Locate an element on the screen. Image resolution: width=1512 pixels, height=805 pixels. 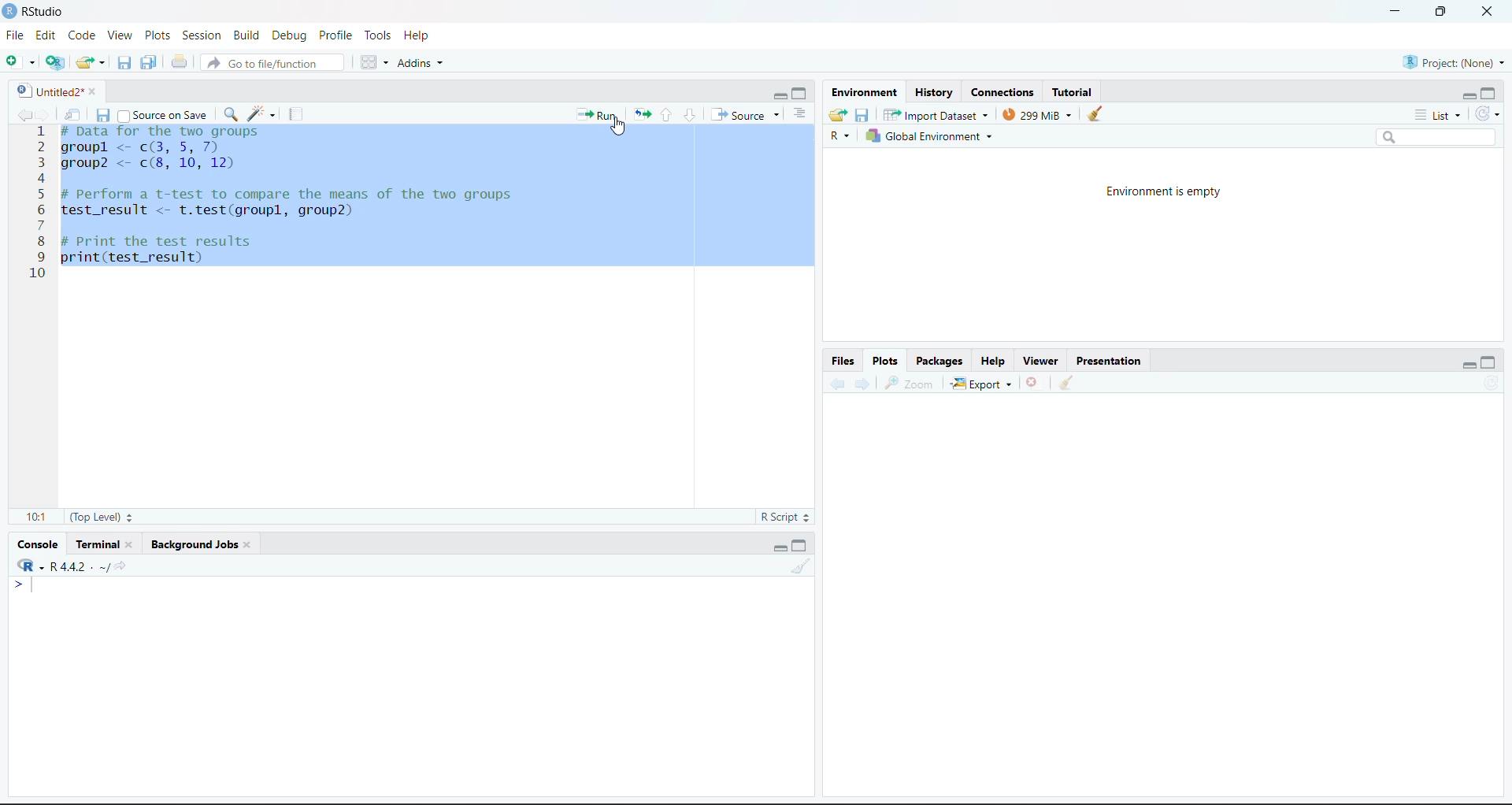
go to file/function is located at coordinates (271, 63).